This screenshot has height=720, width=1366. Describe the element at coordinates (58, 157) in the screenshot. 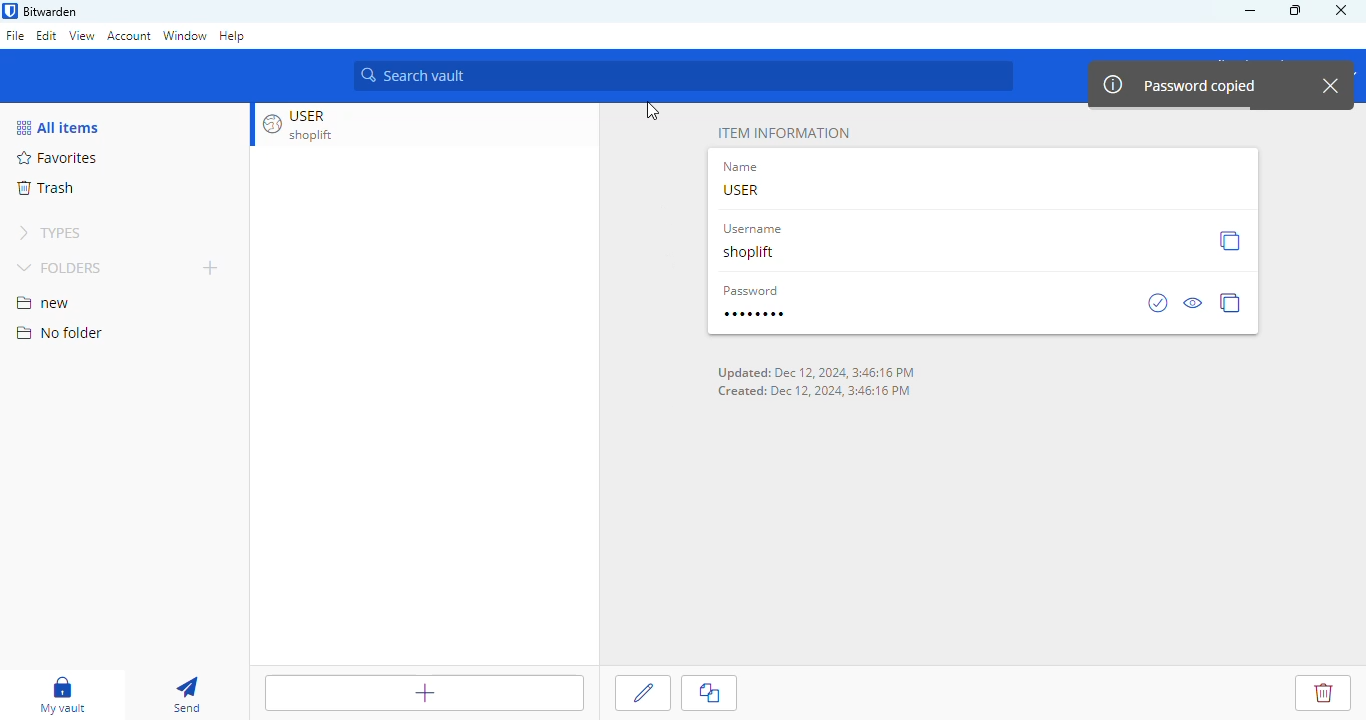

I see `favorites` at that location.